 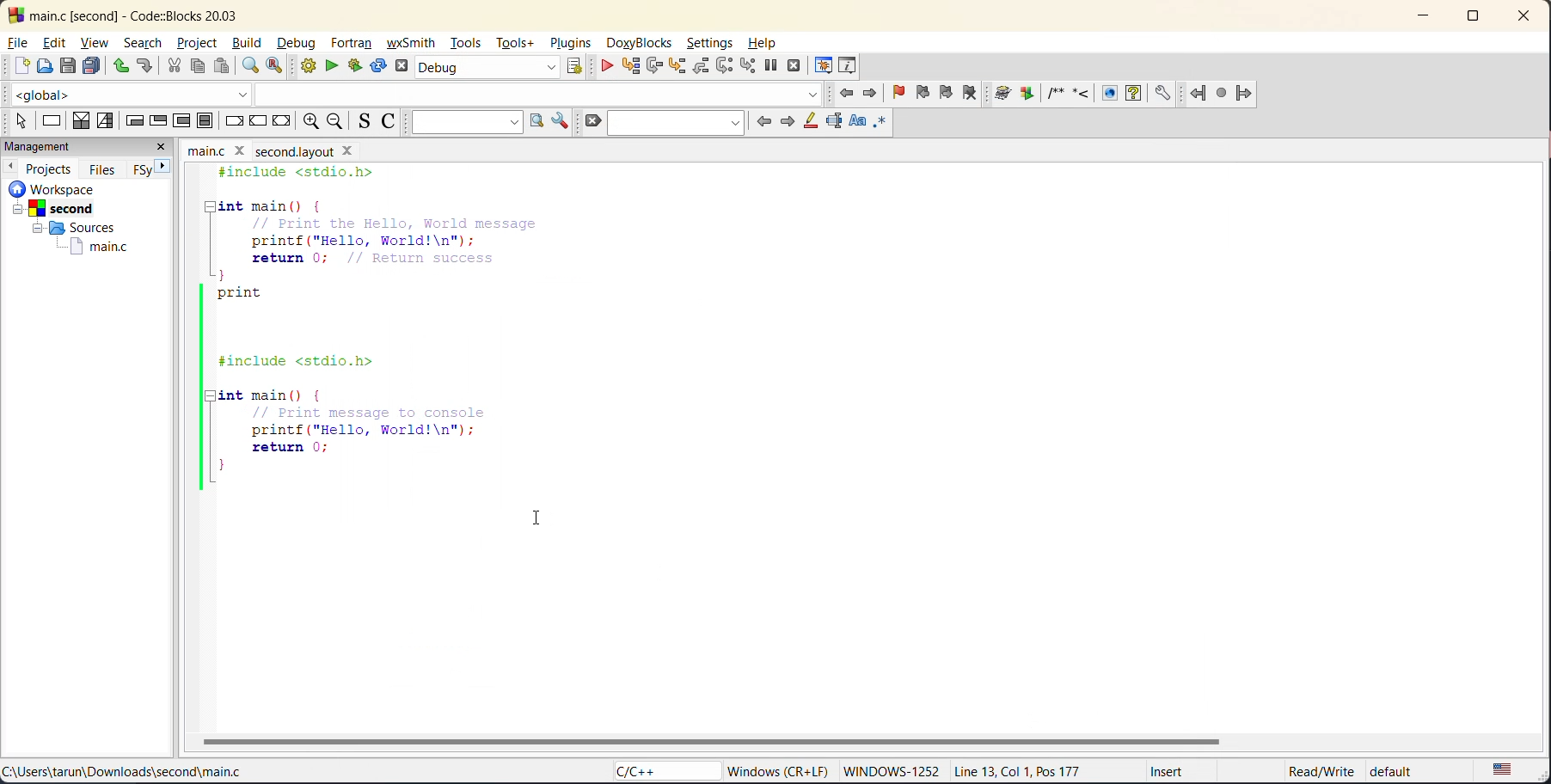 What do you see at coordinates (44, 67) in the screenshot?
I see `open` at bounding box center [44, 67].